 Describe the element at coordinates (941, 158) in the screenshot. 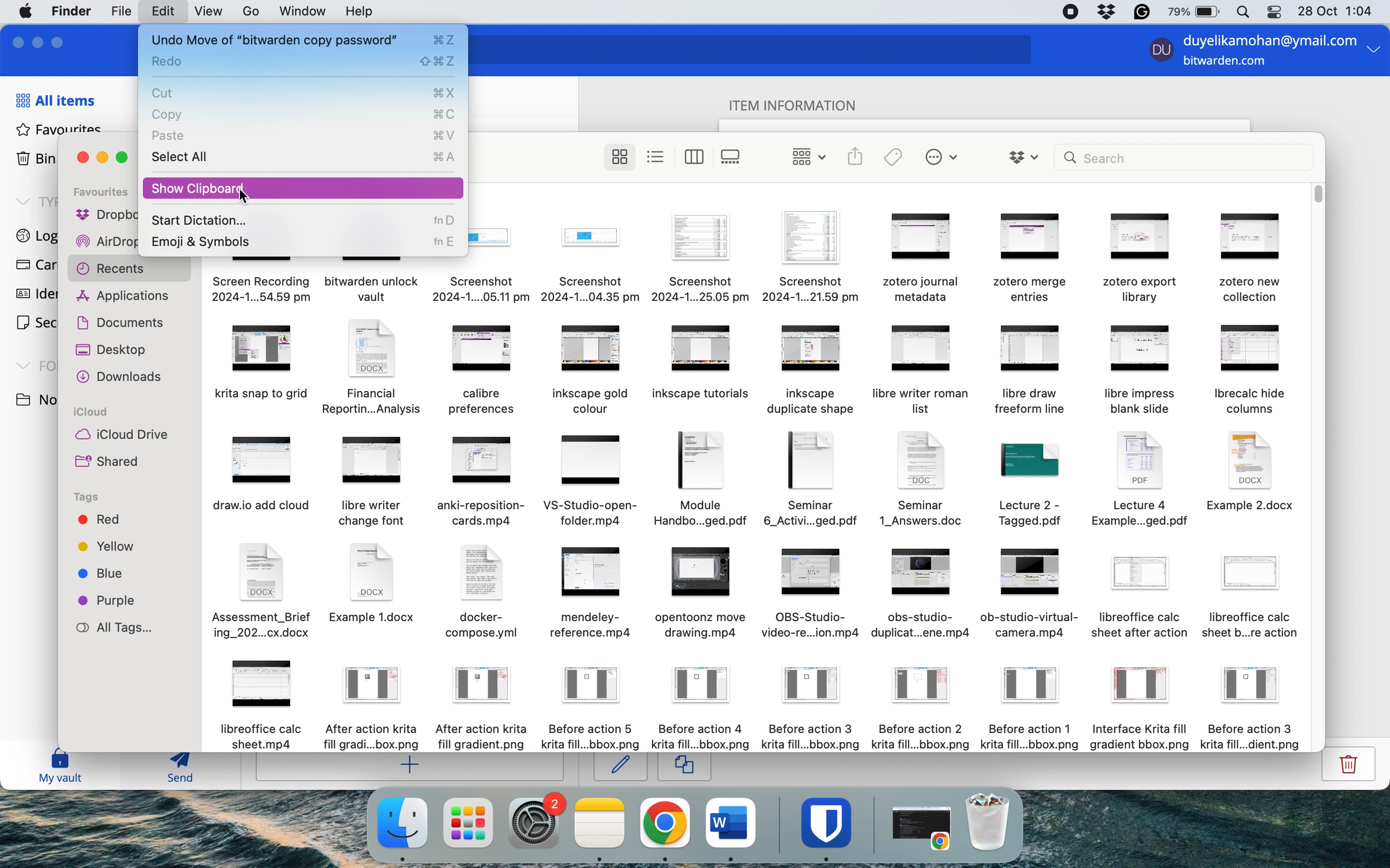

I see `perform tasks with selected items` at that location.